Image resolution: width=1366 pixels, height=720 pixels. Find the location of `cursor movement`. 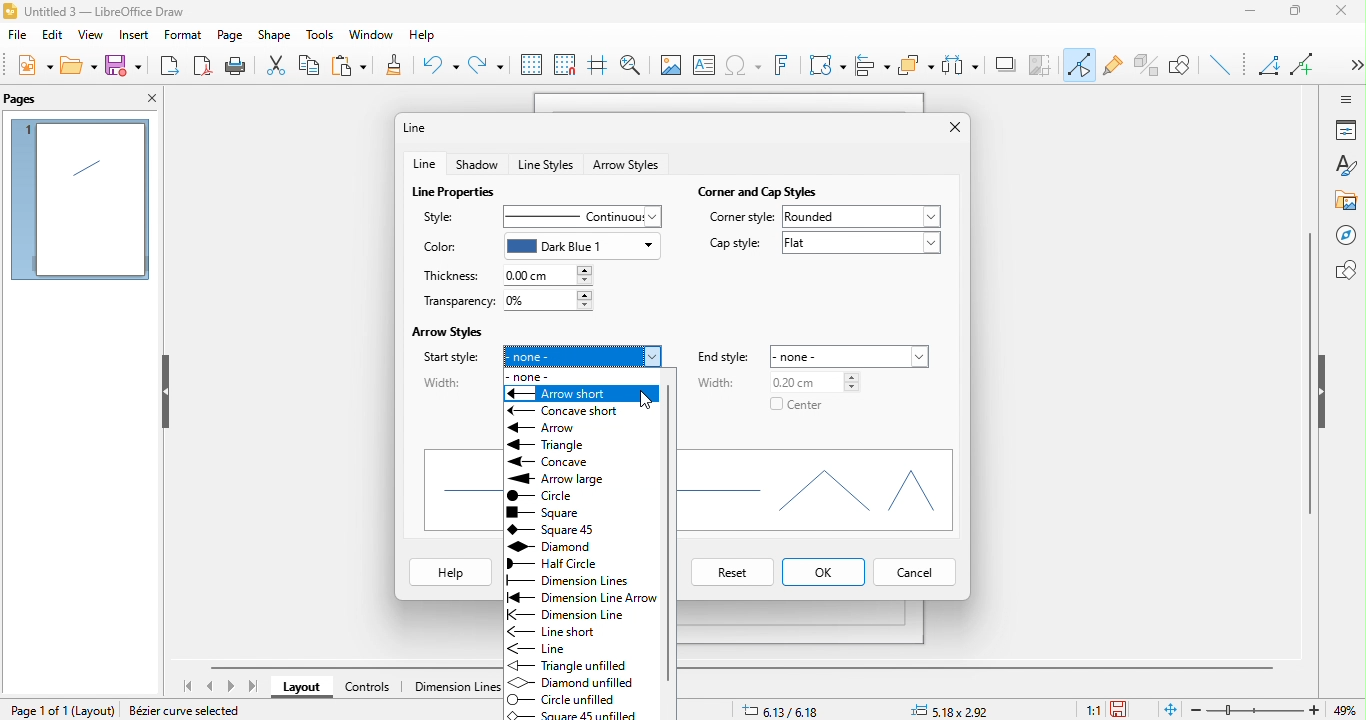

cursor movement is located at coordinates (649, 398).